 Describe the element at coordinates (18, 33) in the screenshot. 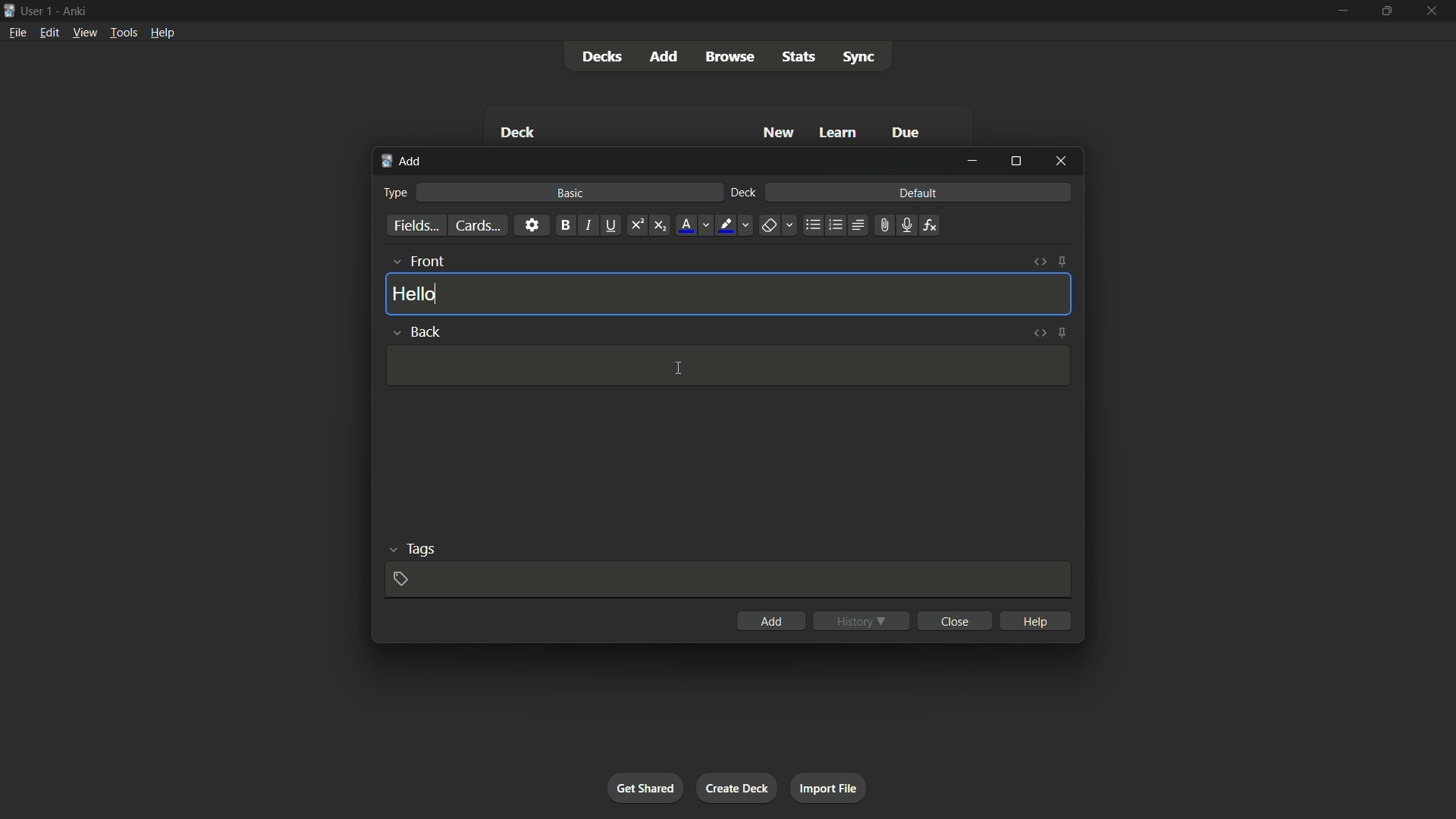

I see `file menu` at that location.